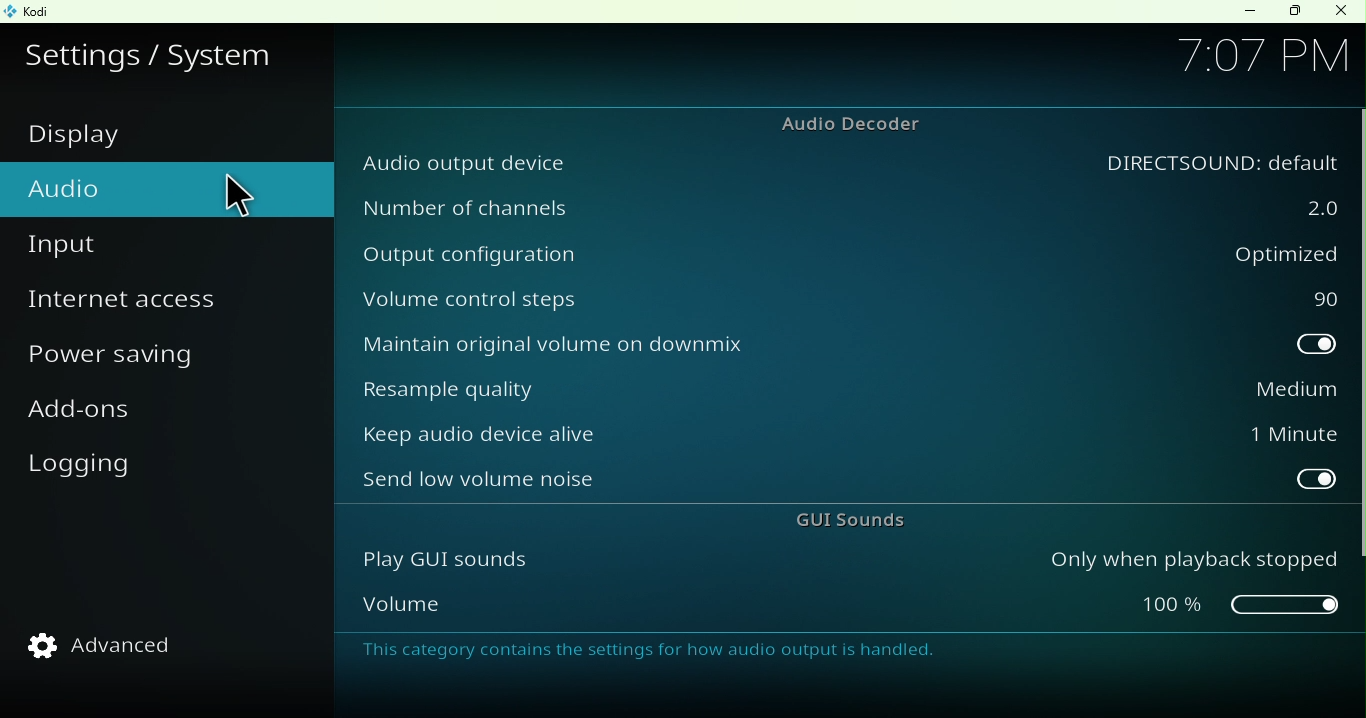  I want to click on Optimized, so click(1220, 254).